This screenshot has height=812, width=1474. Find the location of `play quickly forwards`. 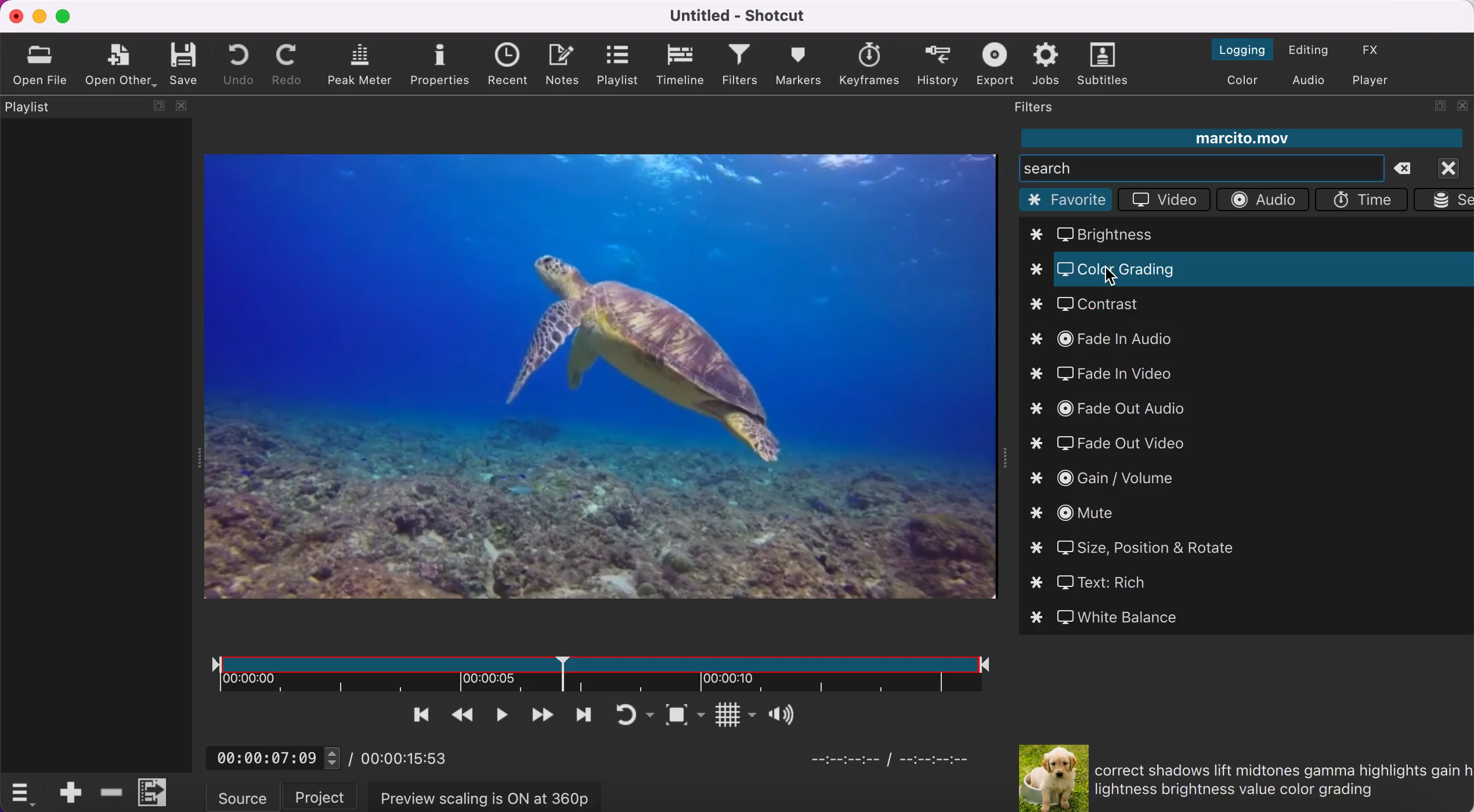

play quickly forwards is located at coordinates (541, 713).